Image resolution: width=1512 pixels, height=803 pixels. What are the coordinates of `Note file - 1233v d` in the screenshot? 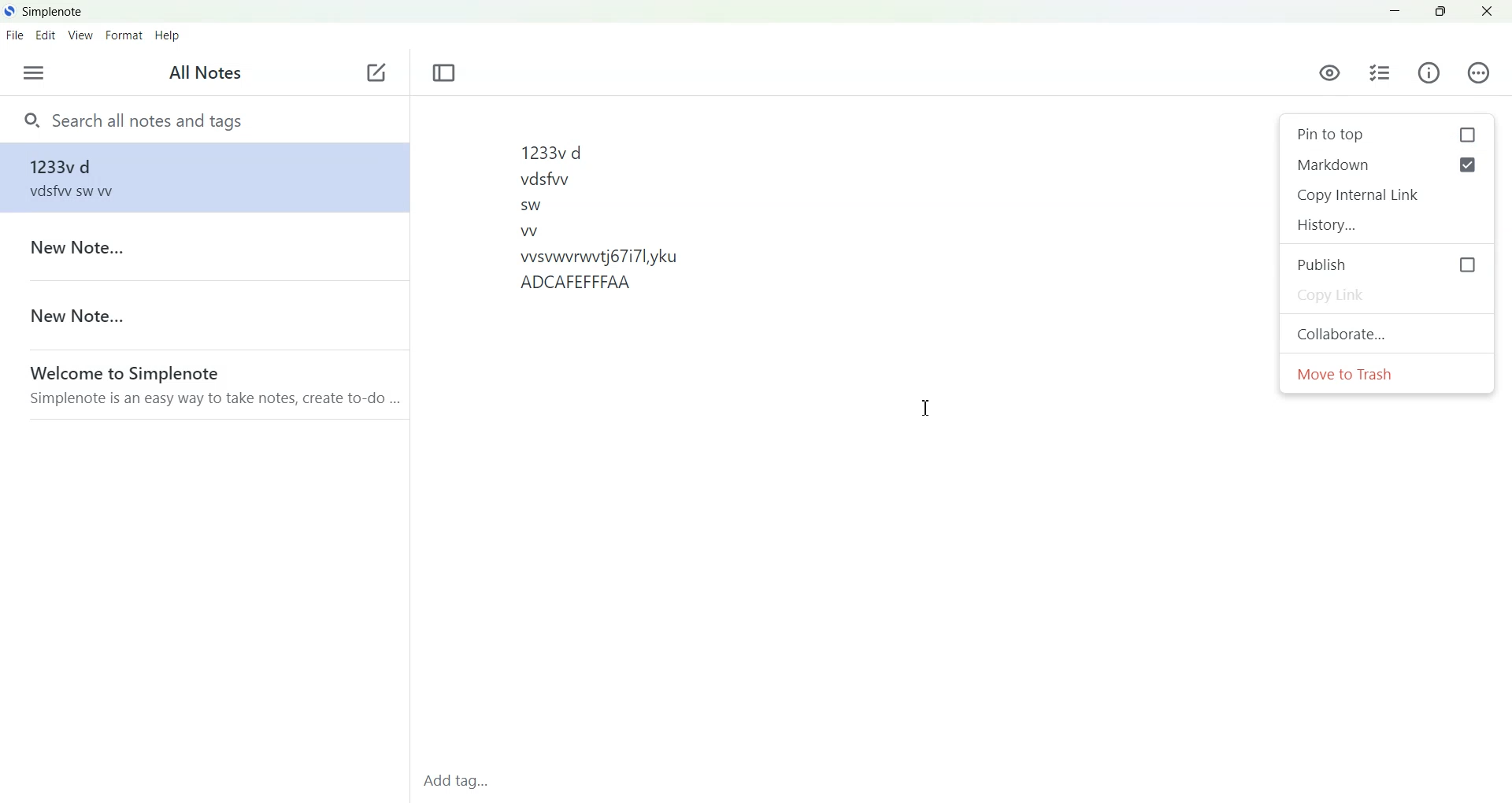 It's located at (202, 177).